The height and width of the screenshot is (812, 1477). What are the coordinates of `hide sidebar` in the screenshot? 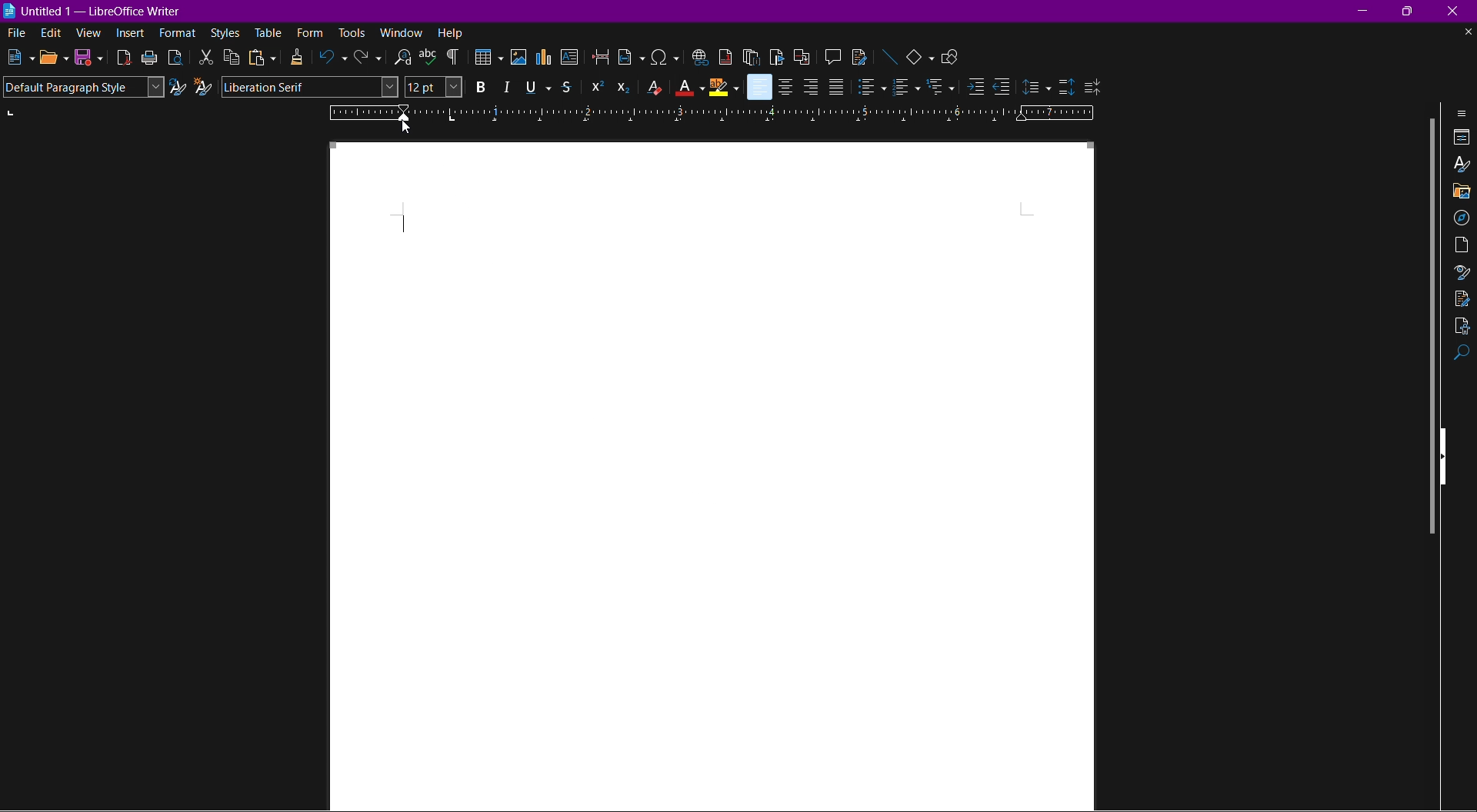 It's located at (1448, 454).